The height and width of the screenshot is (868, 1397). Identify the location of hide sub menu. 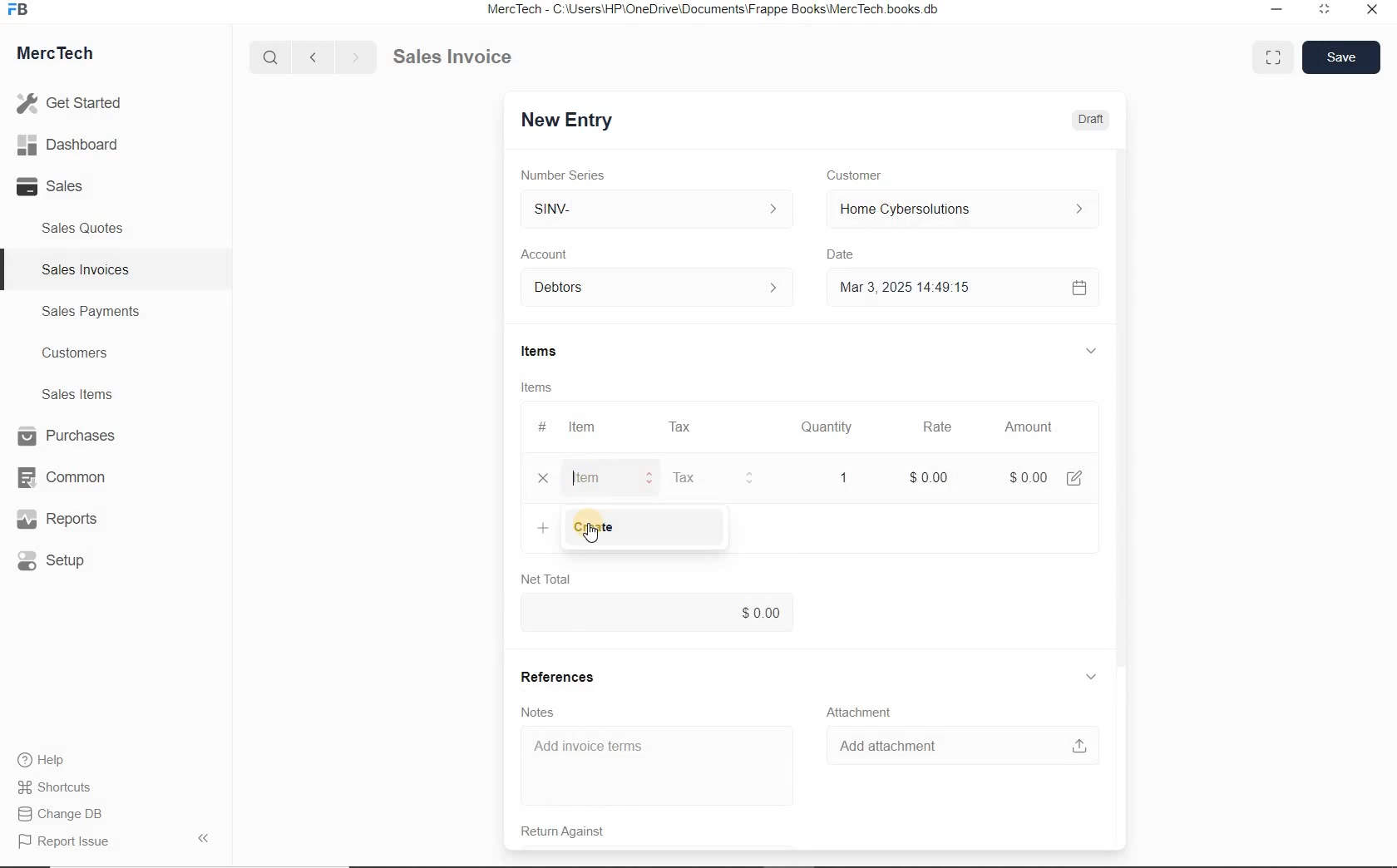
(1091, 678).